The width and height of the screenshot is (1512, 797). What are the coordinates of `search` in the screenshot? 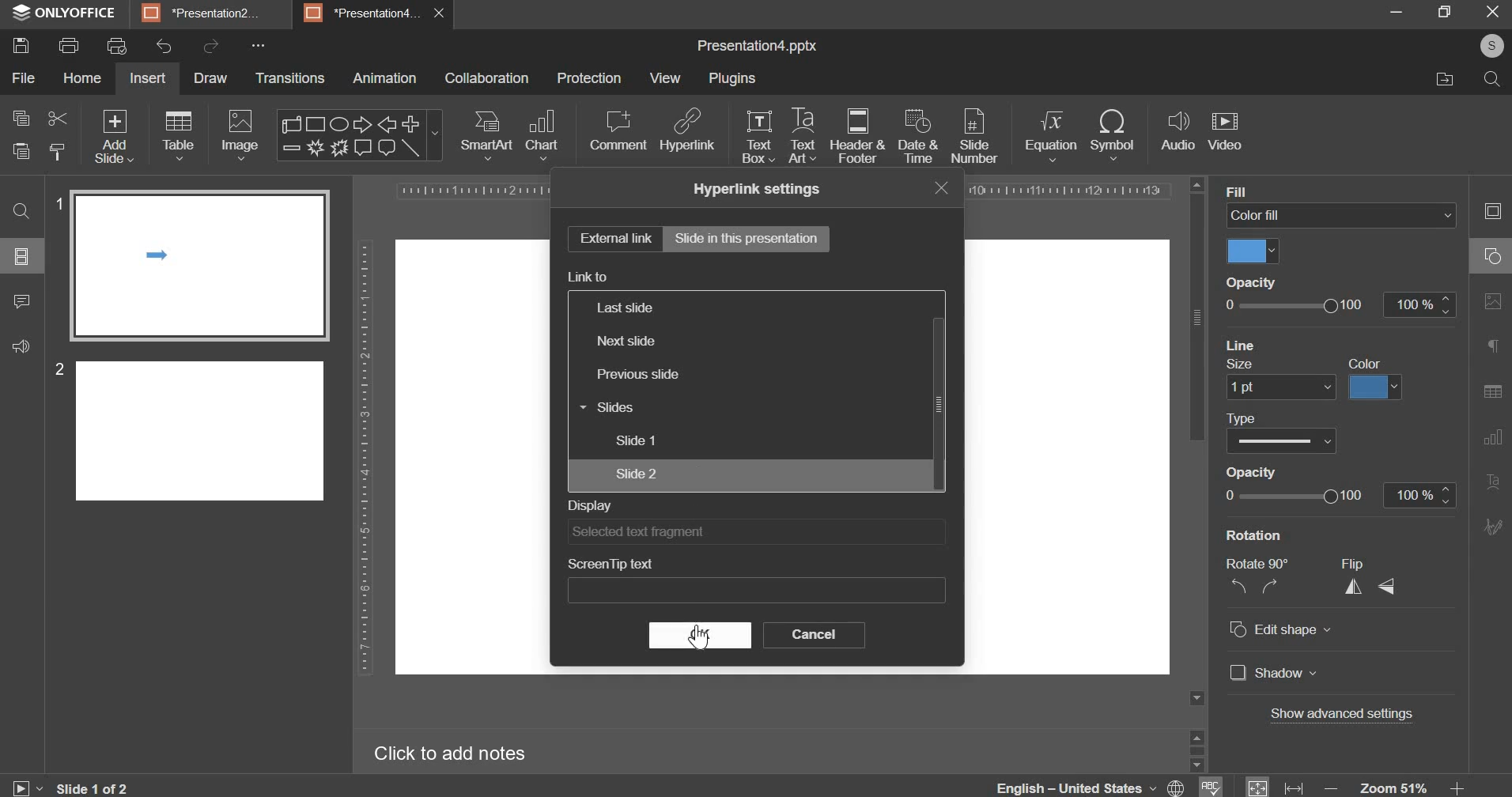 It's located at (21, 204).